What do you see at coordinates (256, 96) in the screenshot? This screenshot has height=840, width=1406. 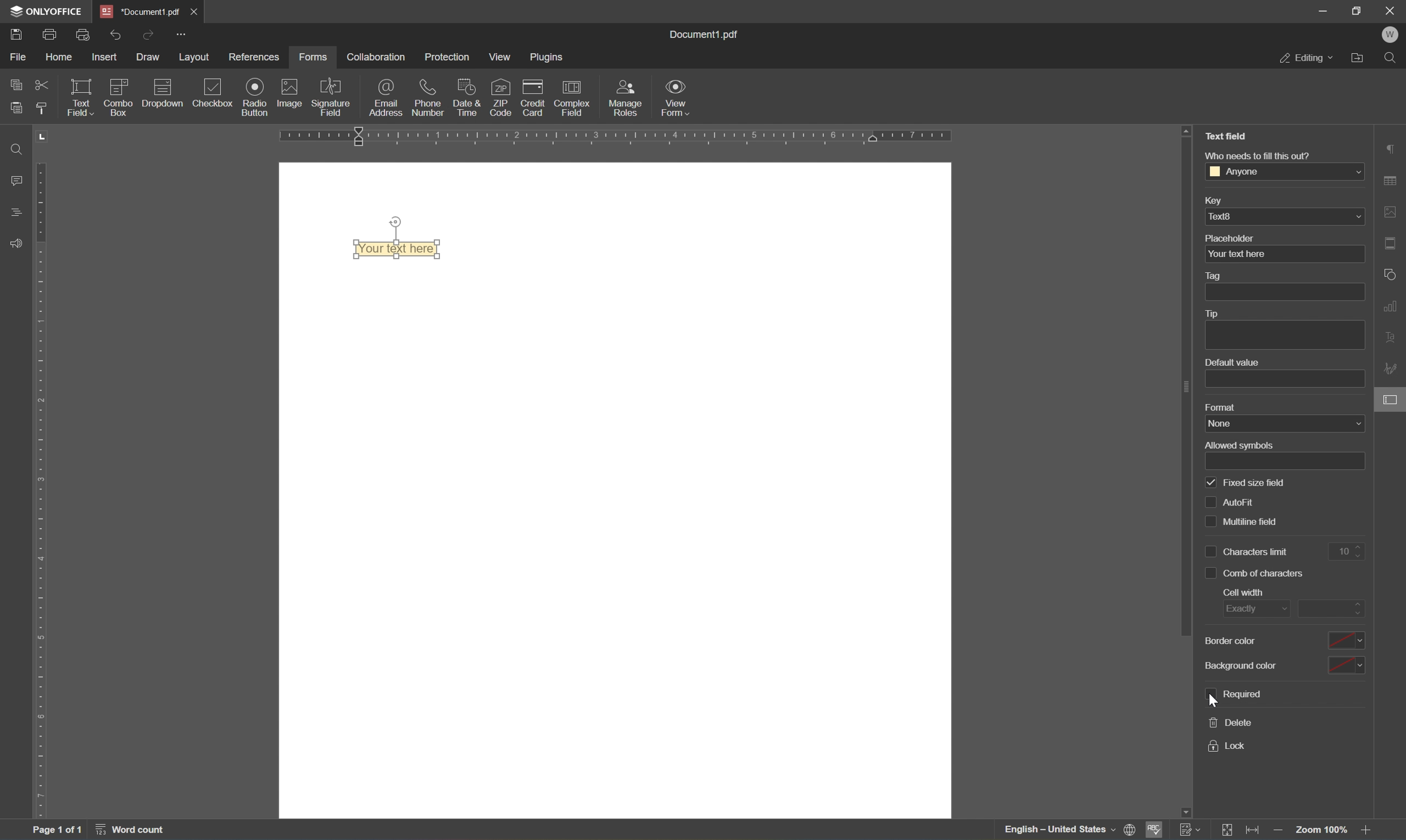 I see `radio button` at bounding box center [256, 96].